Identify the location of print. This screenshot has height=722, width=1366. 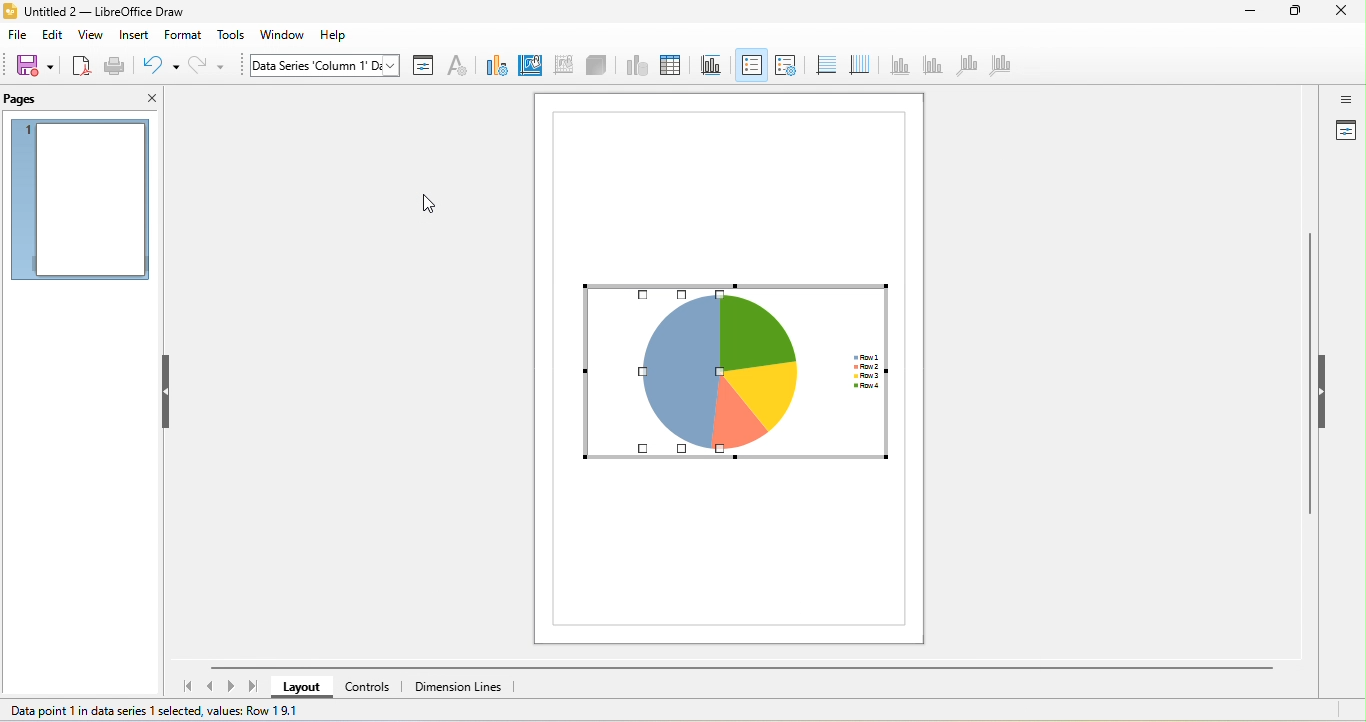
(115, 68).